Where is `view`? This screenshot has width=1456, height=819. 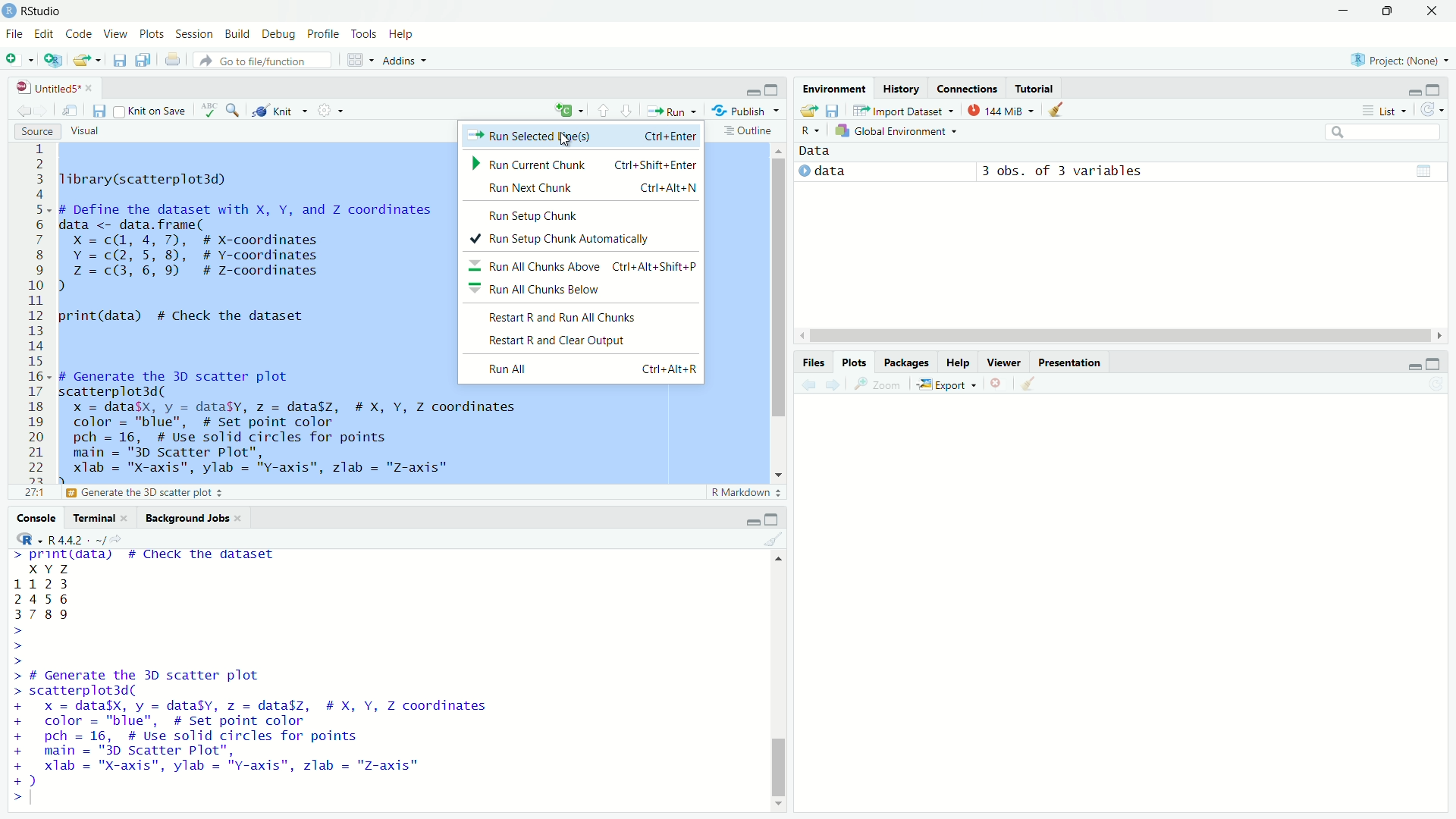
view is located at coordinates (118, 37).